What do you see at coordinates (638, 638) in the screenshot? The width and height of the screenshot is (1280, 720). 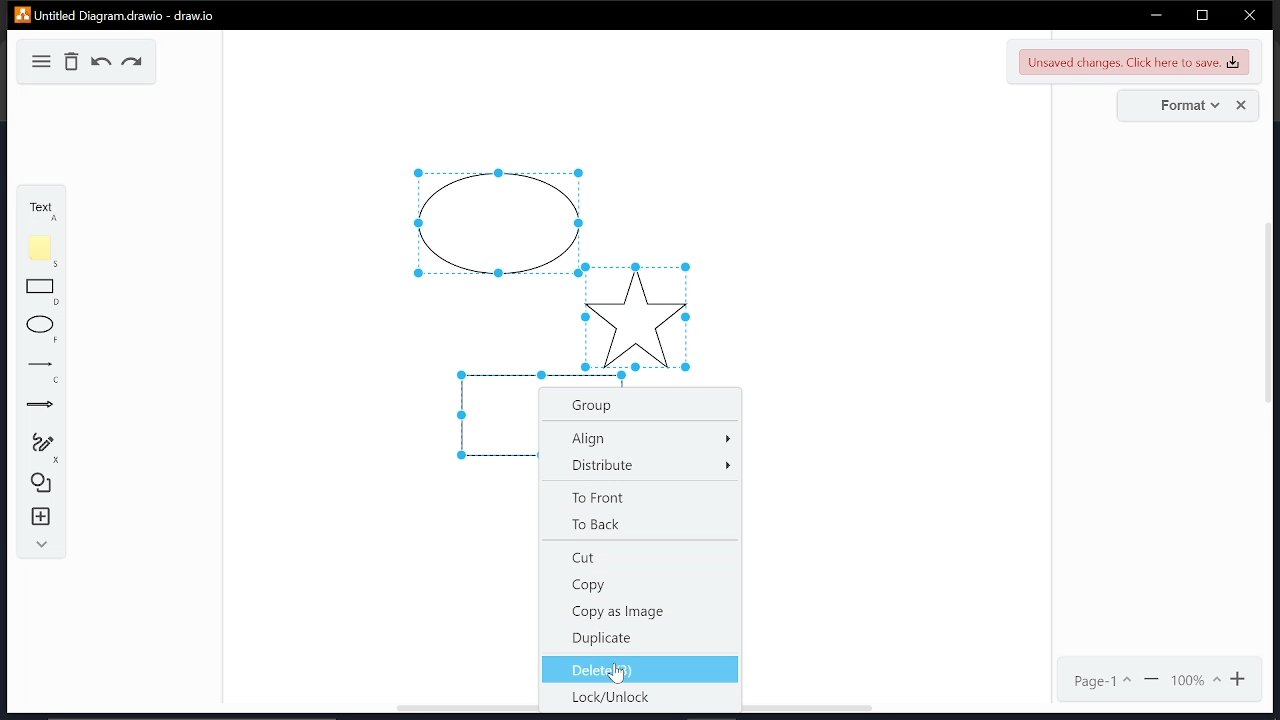 I see `duplicate` at bounding box center [638, 638].